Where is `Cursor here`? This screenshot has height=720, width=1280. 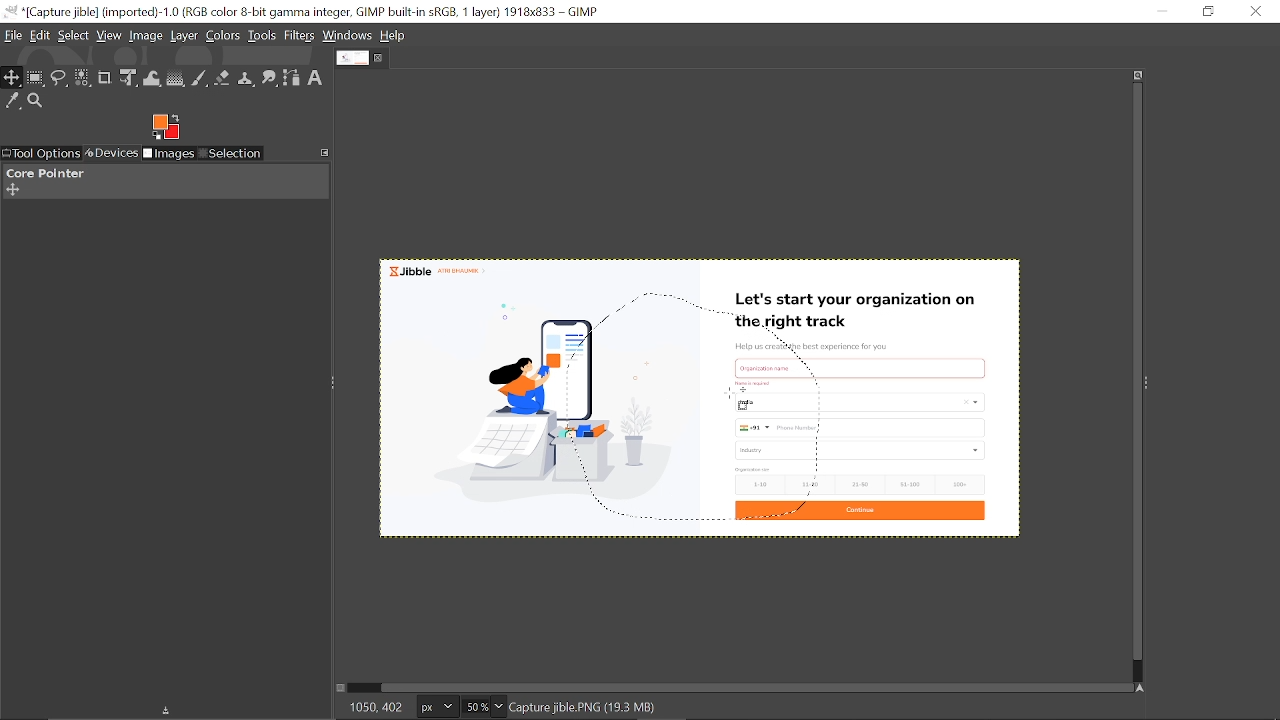
Cursor here is located at coordinates (730, 394).